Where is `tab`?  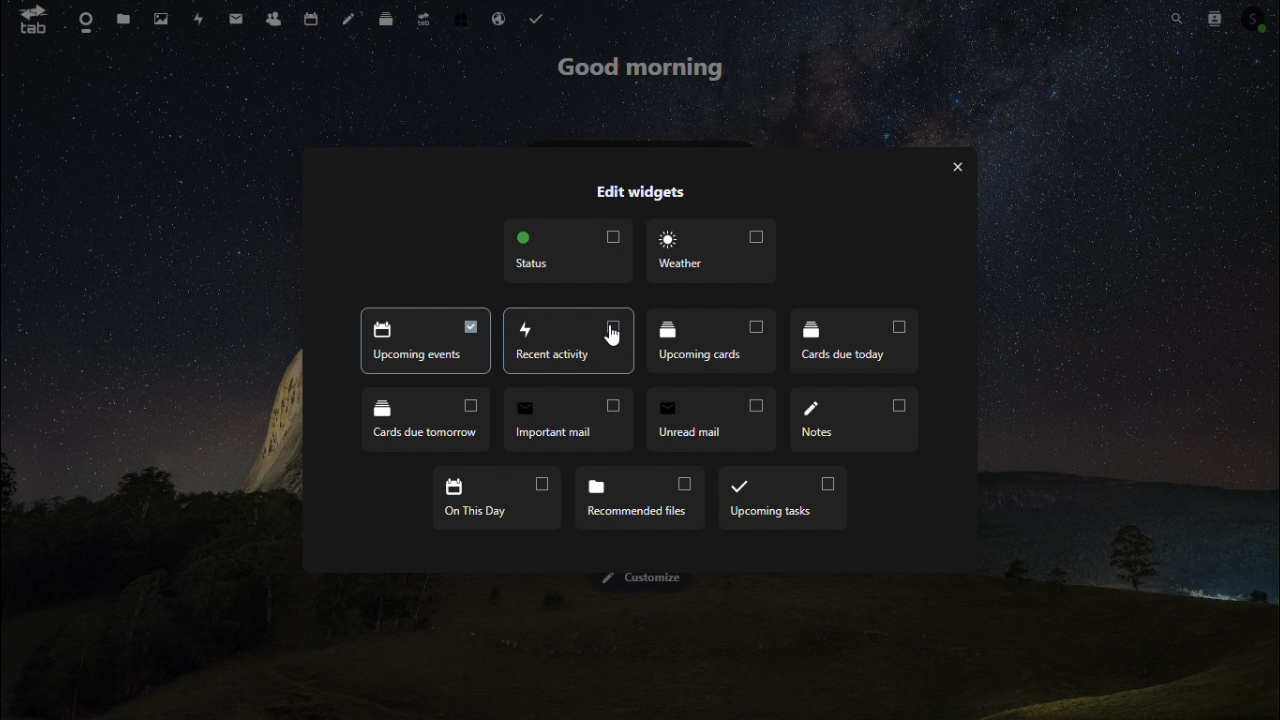 tab is located at coordinates (27, 19).